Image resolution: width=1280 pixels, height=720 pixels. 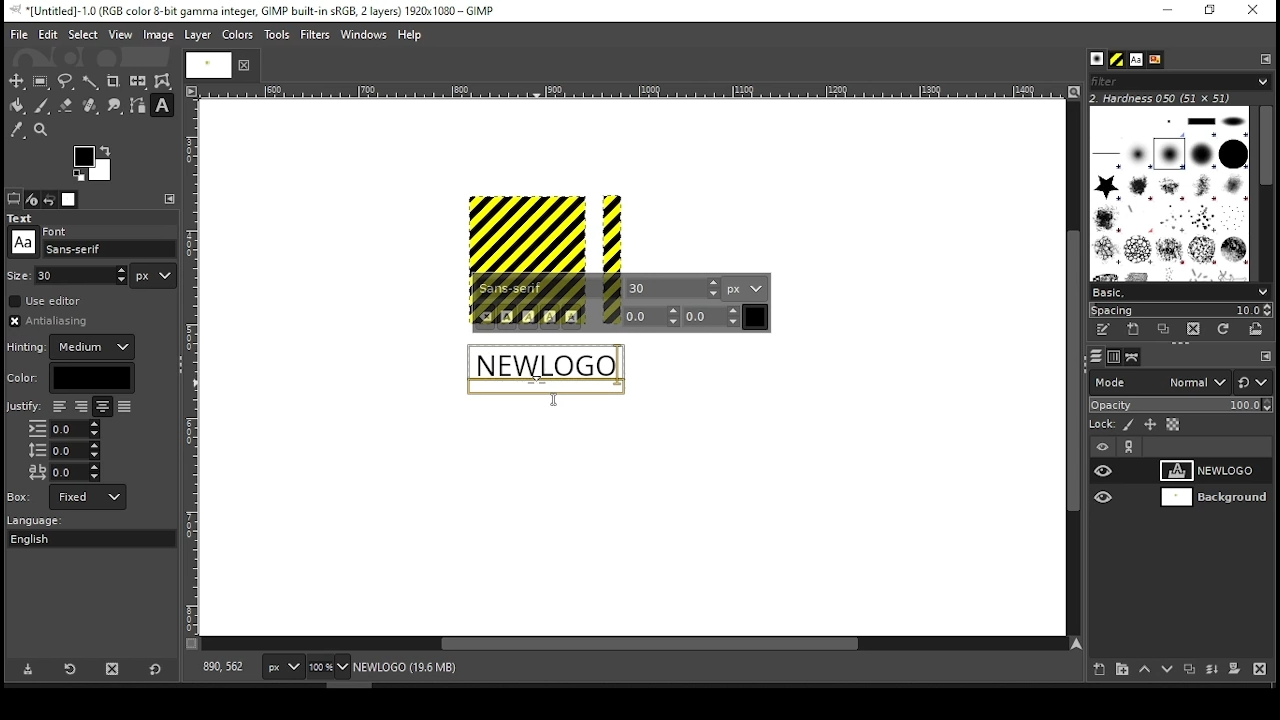 I want to click on font, so click(x=549, y=289).